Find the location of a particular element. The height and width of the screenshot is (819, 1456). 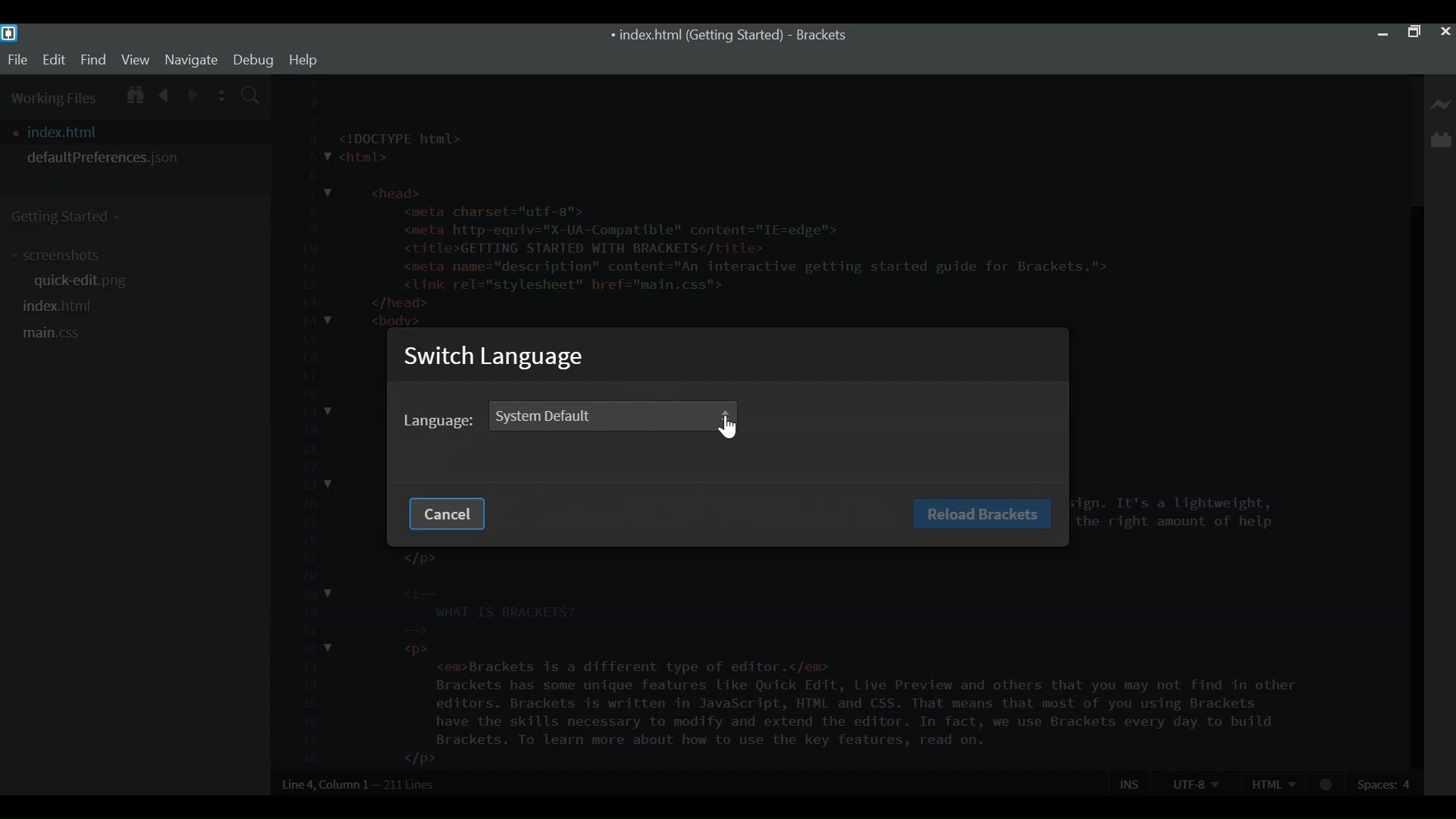

Switch Language is located at coordinates (498, 359).